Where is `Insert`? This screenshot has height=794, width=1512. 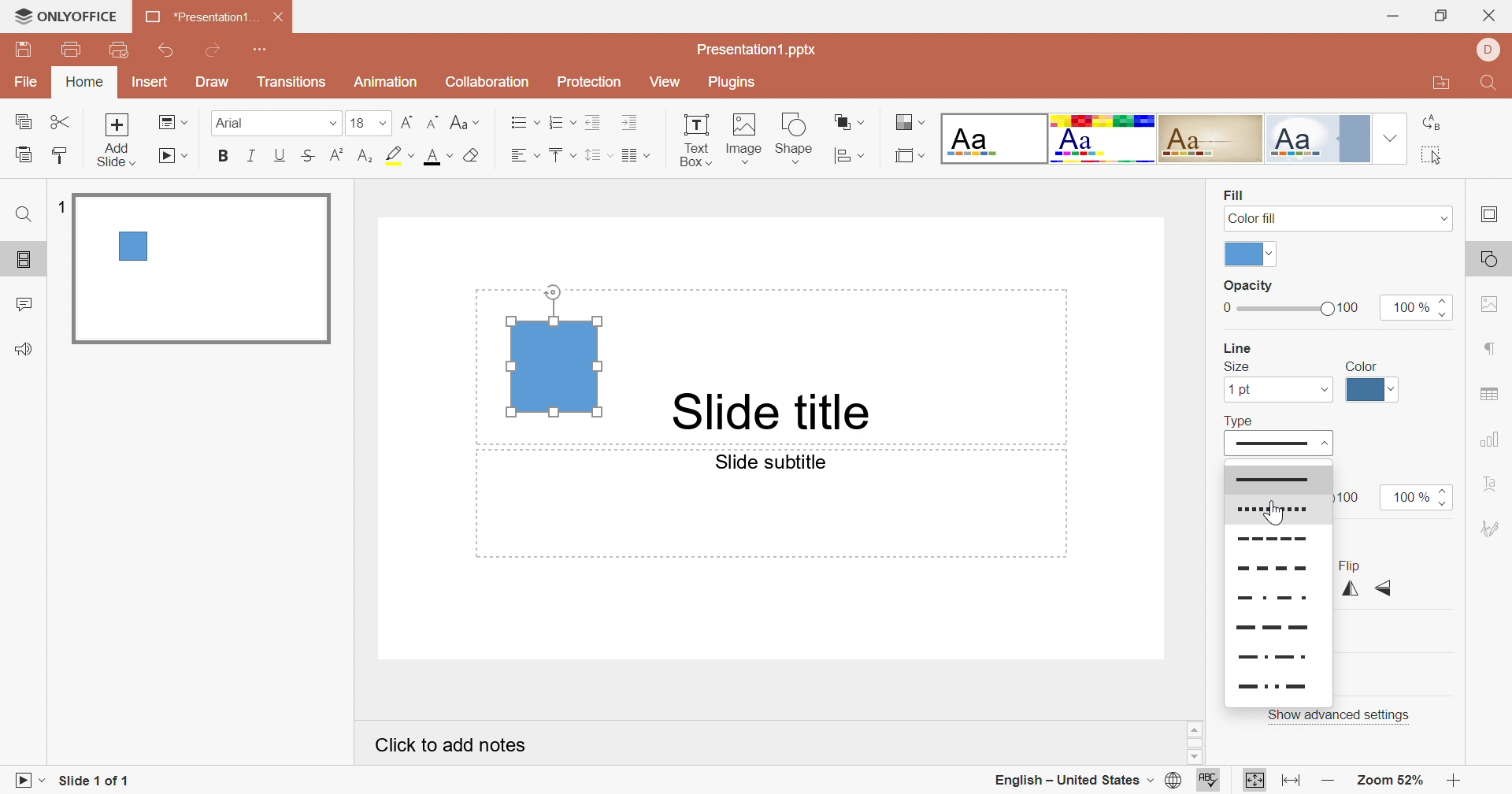
Insert is located at coordinates (149, 83).